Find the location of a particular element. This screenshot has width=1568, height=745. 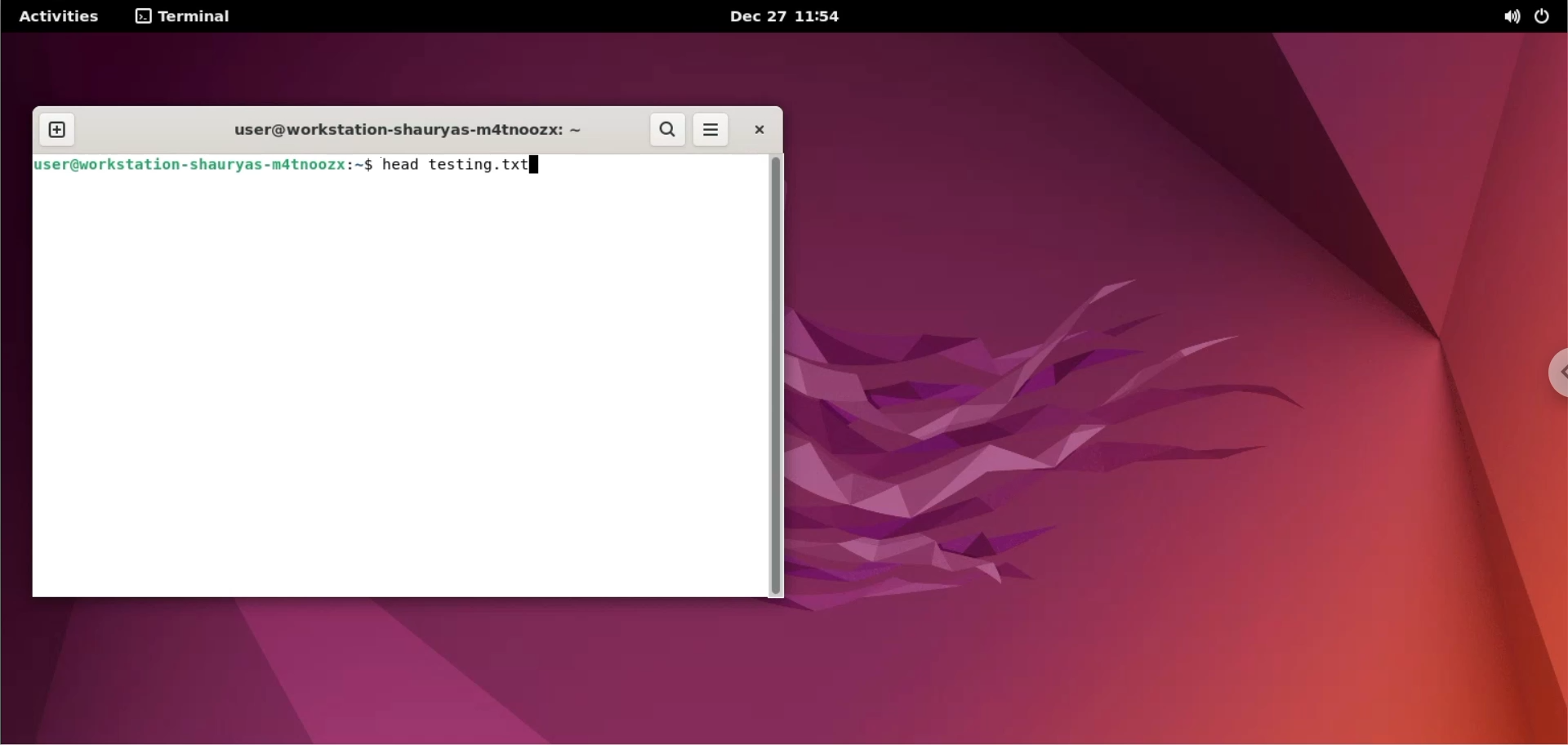

power options is located at coordinates (1546, 20).